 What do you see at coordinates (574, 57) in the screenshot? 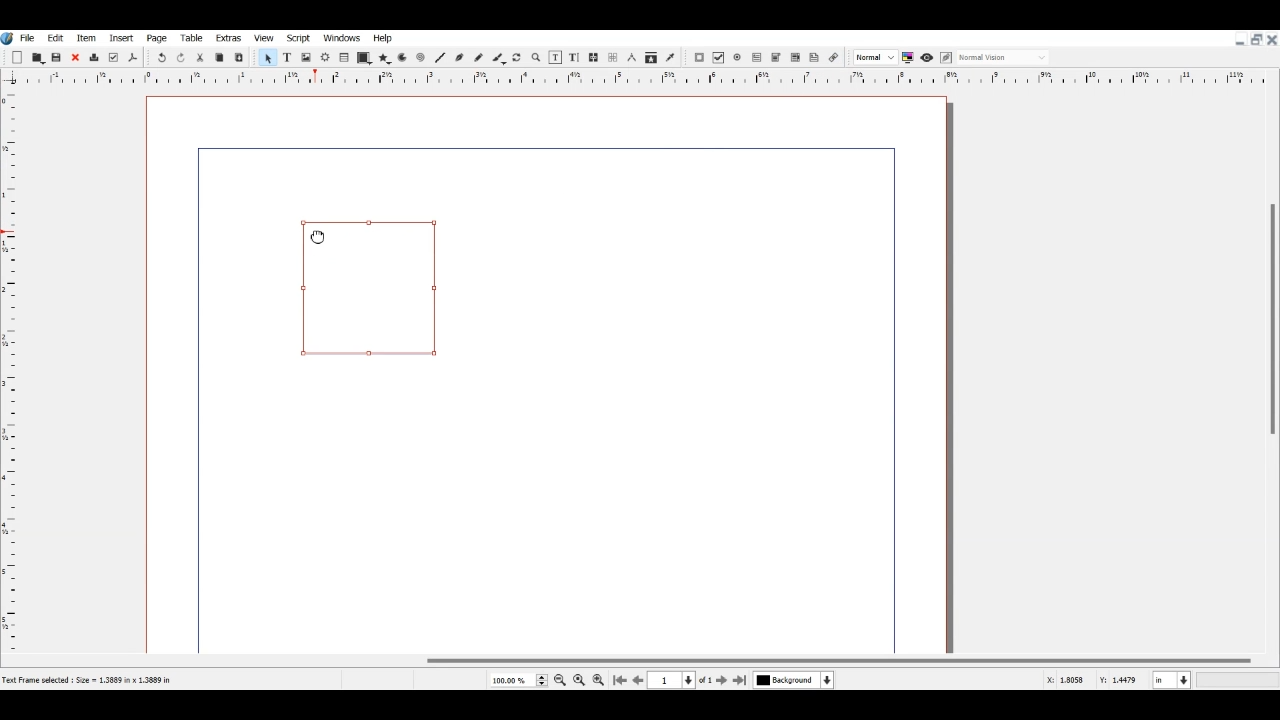
I see `Edit Text` at bounding box center [574, 57].